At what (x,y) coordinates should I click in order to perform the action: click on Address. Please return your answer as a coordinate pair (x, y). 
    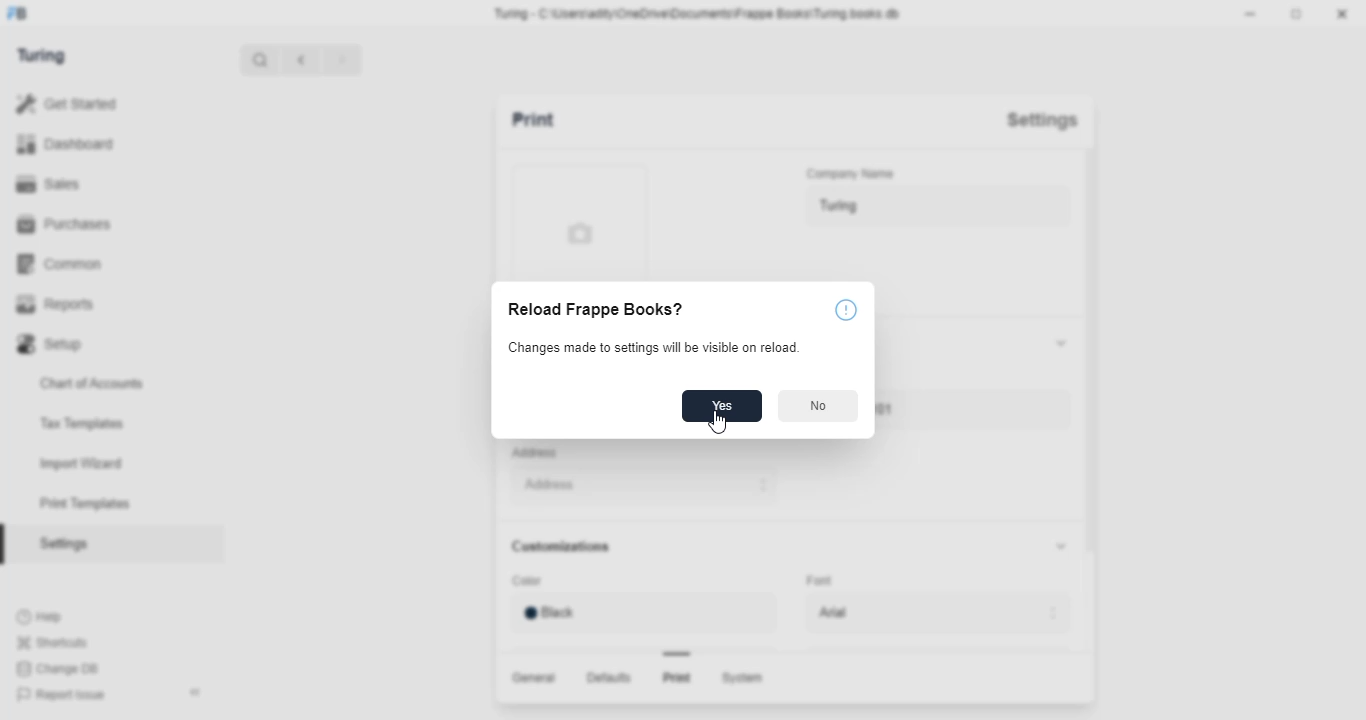
    Looking at the image, I should click on (638, 486).